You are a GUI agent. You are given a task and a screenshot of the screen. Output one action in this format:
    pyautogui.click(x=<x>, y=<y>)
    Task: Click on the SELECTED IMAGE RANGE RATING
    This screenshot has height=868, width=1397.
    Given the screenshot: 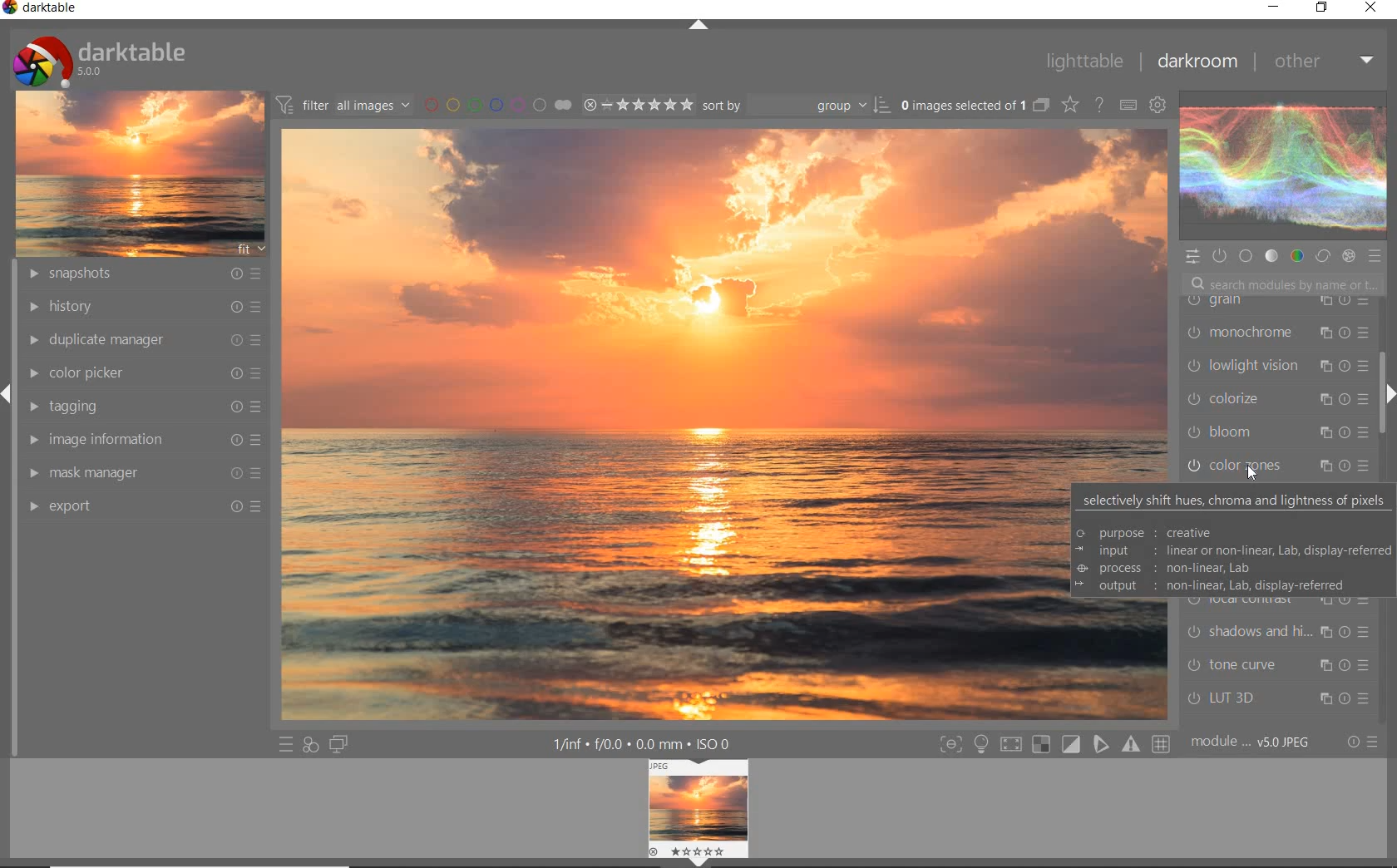 What is the action you would take?
    pyautogui.click(x=639, y=104)
    